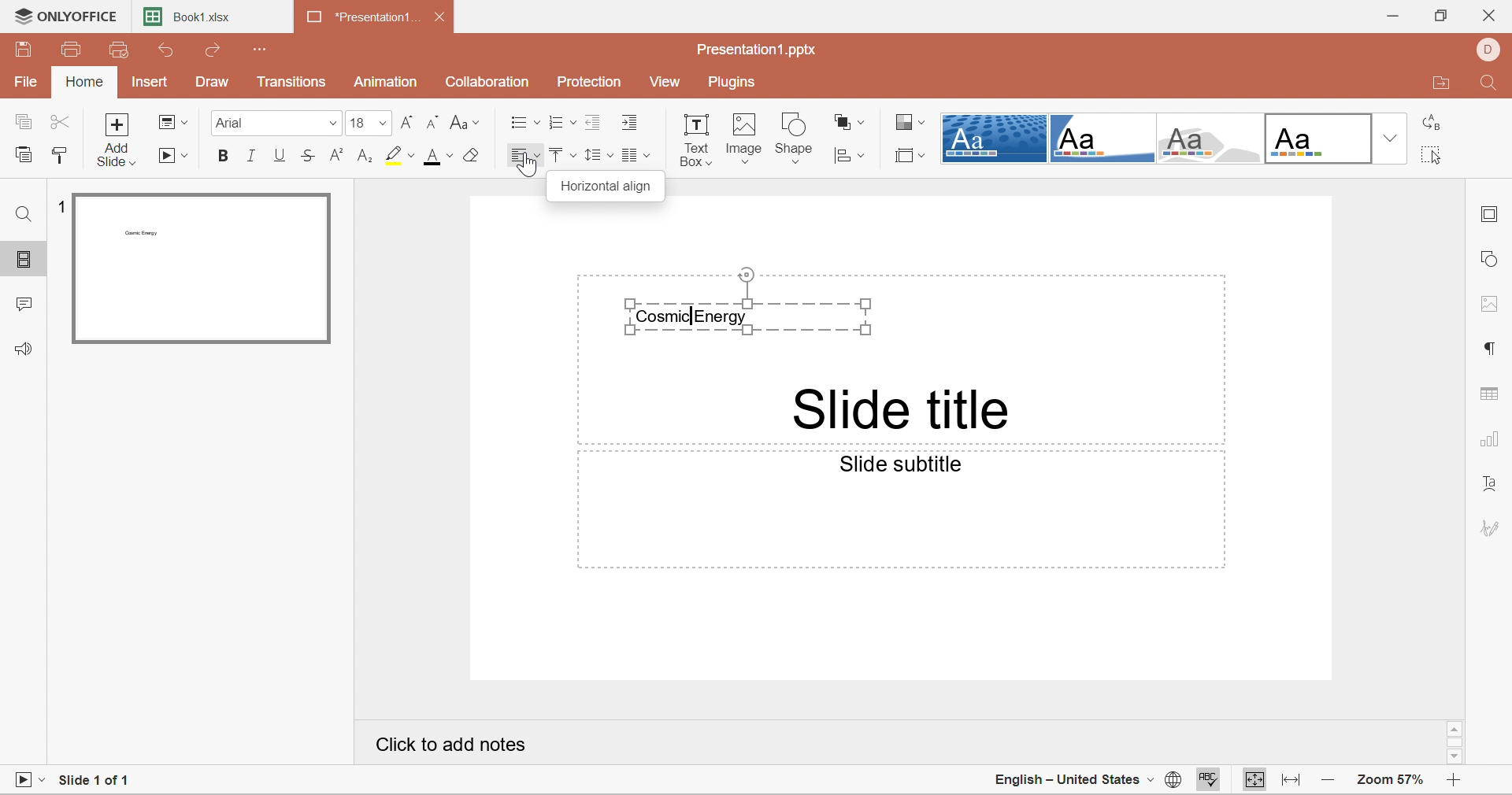 The height and width of the screenshot is (795, 1512). Describe the element at coordinates (851, 155) in the screenshot. I see `Align shape` at that location.